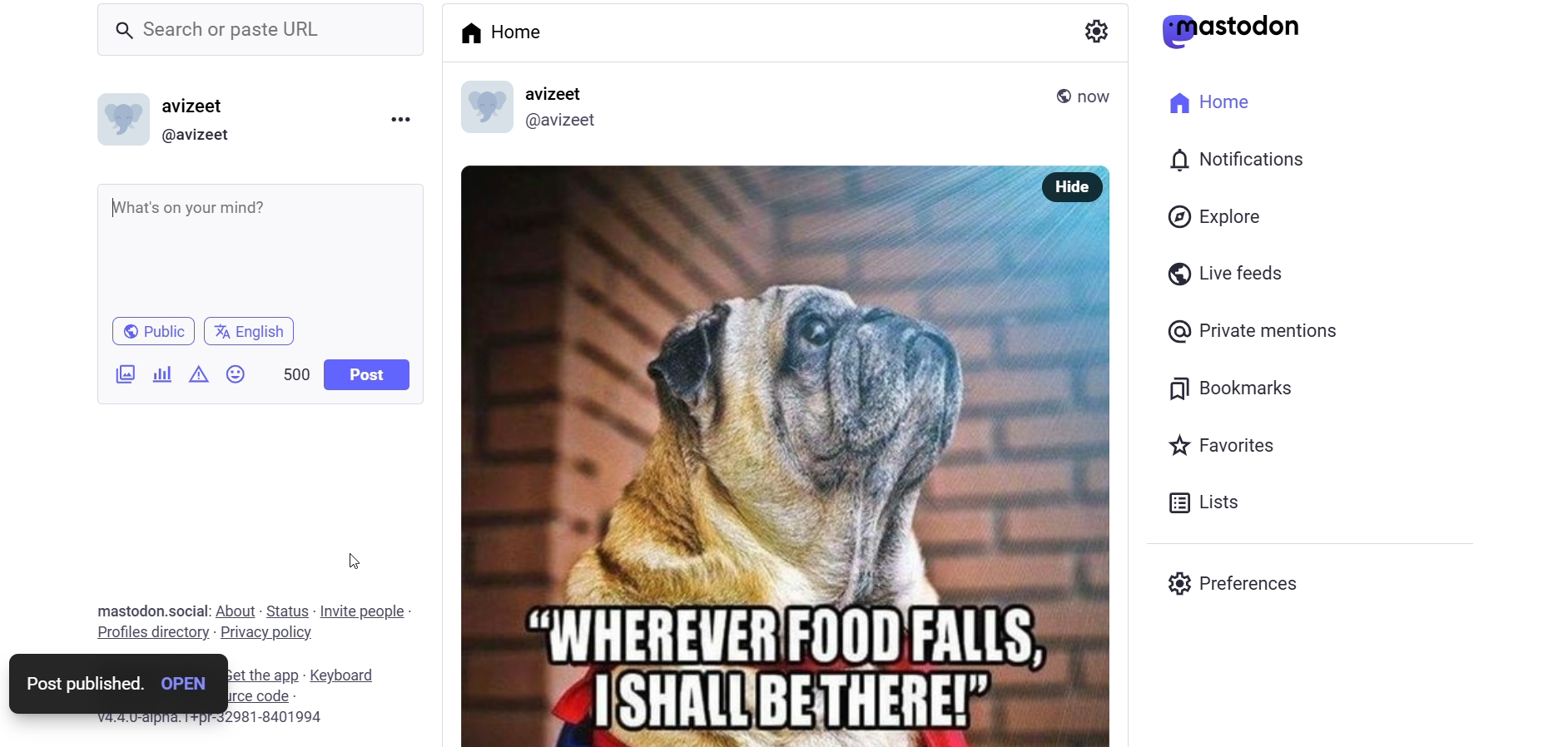 The height and width of the screenshot is (747, 1568). I want to click on public, so click(1071, 93).